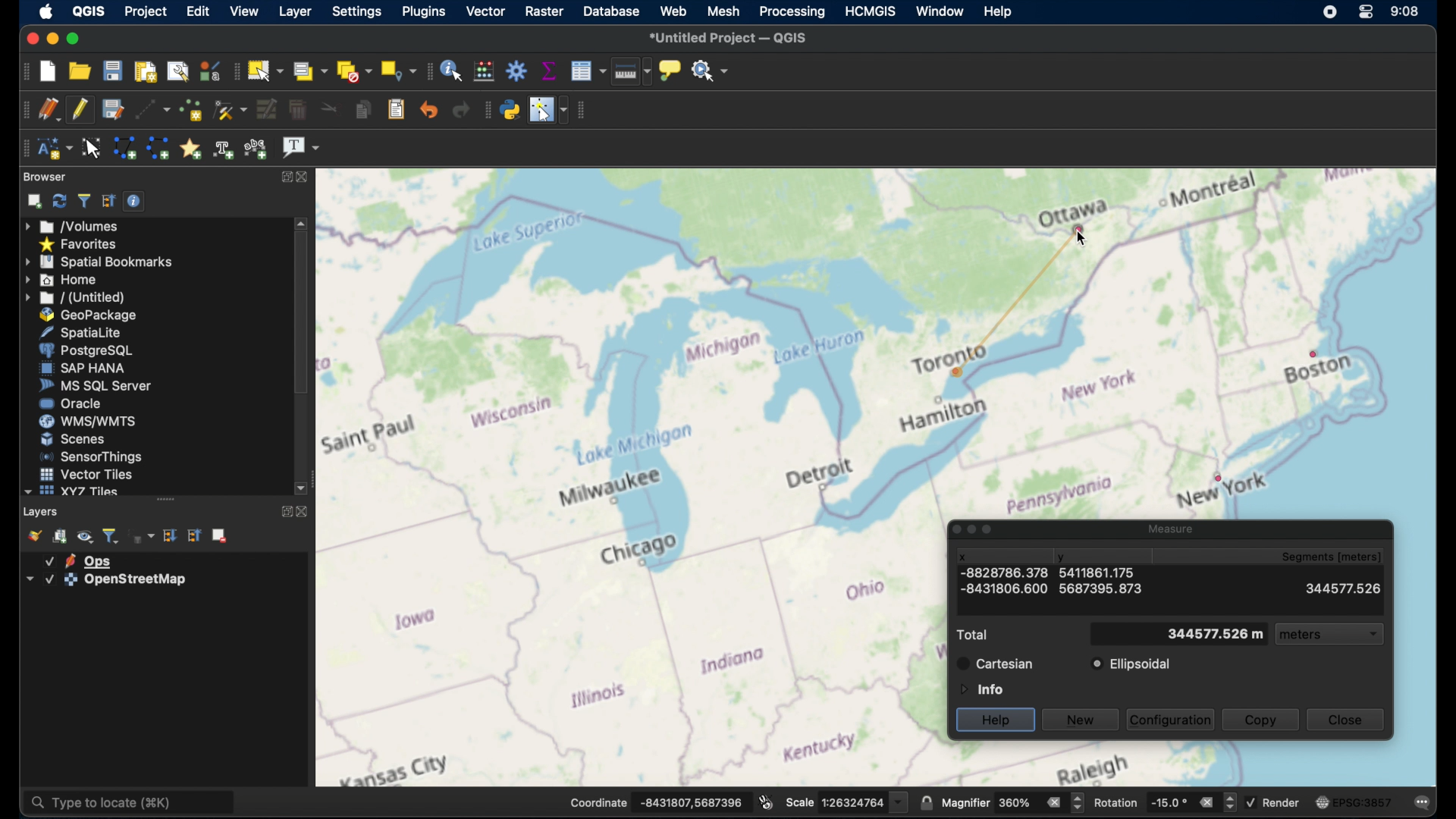  Describe the element at coordinates (124, 149) in the screenshot. I see `create polygon annotation` at that location.